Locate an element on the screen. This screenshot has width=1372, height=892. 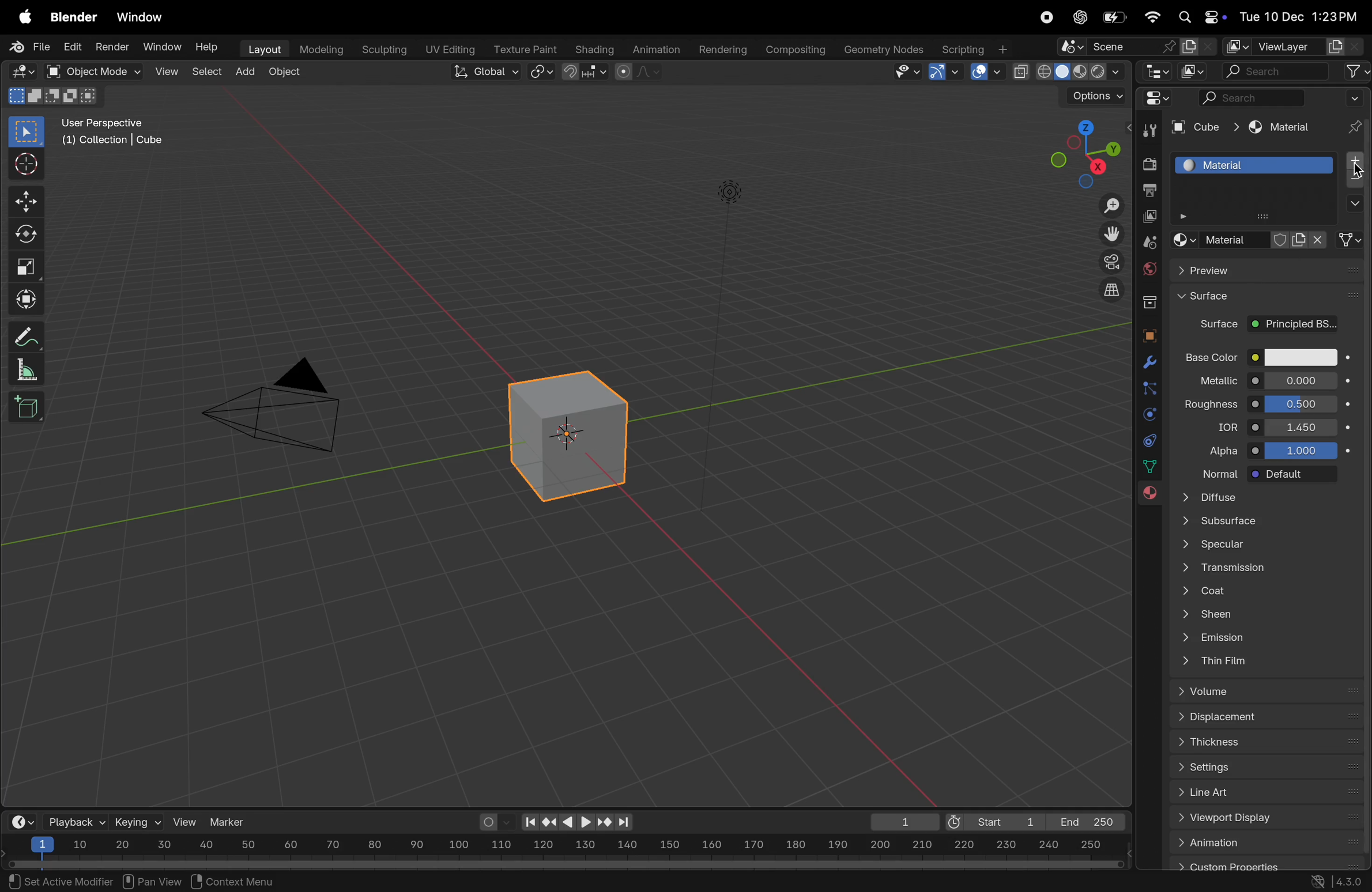
cursor is located at coordinates (1358, 171).